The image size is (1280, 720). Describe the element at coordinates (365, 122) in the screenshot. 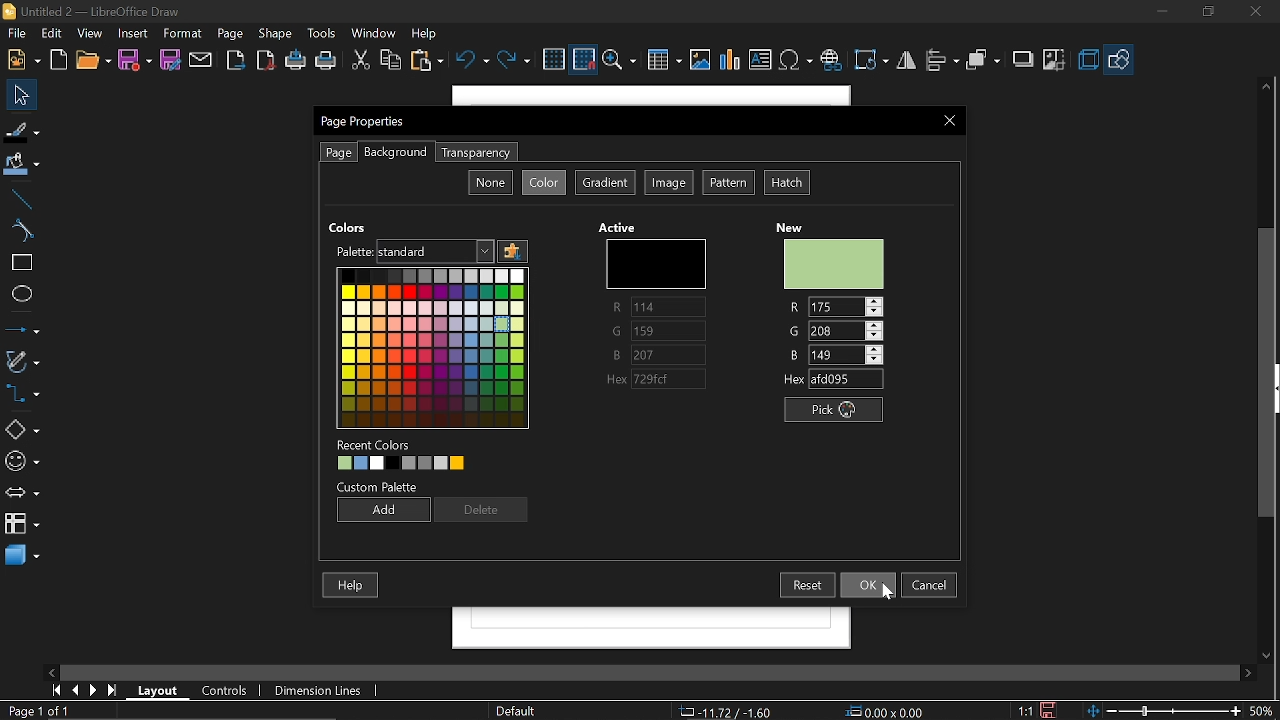

I see `Current window` at that location.